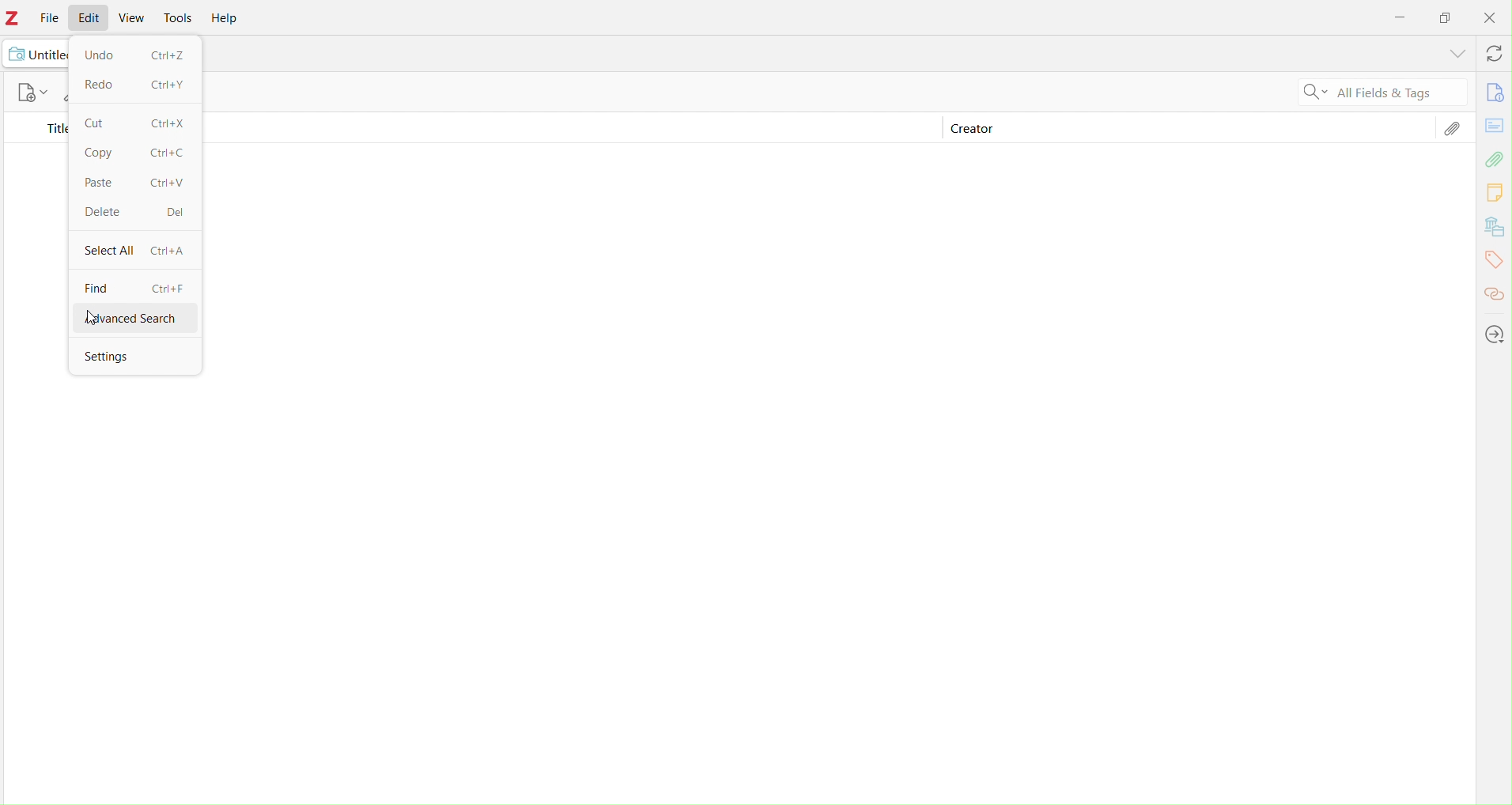 Image resolution: width=1512 pixels, height=805 pixels. Describe the element at coordinates (111, 360) in the screenshot. I see `Settings` at that location.